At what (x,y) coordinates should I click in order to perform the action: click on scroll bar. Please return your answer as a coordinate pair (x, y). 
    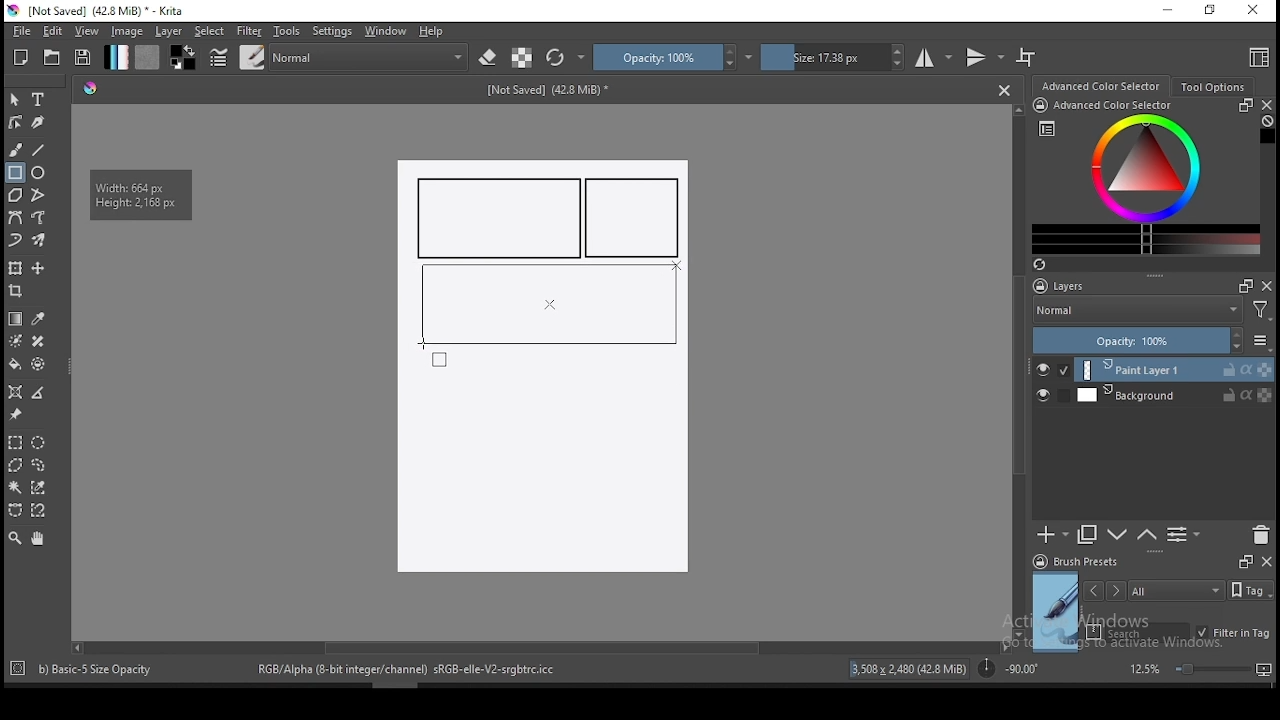
    Looking at the image, I should click on (1020, 370).